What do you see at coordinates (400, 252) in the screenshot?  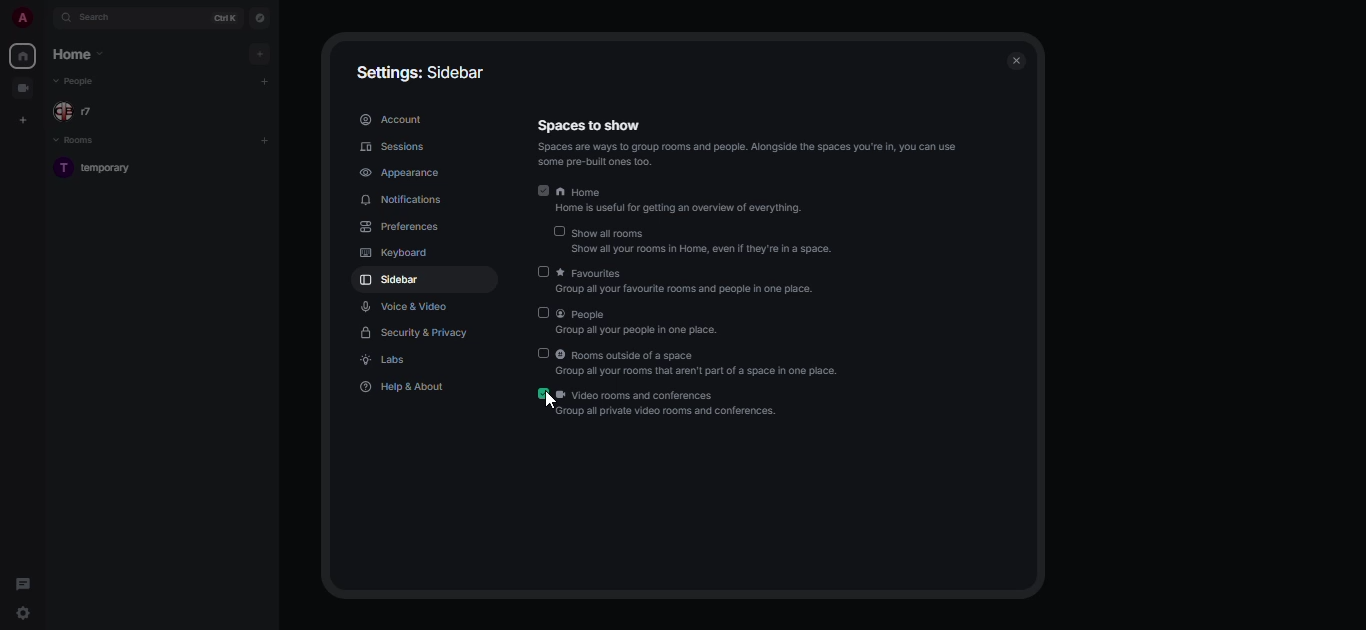 I see `keyboard` at bounding box center [400, 252].